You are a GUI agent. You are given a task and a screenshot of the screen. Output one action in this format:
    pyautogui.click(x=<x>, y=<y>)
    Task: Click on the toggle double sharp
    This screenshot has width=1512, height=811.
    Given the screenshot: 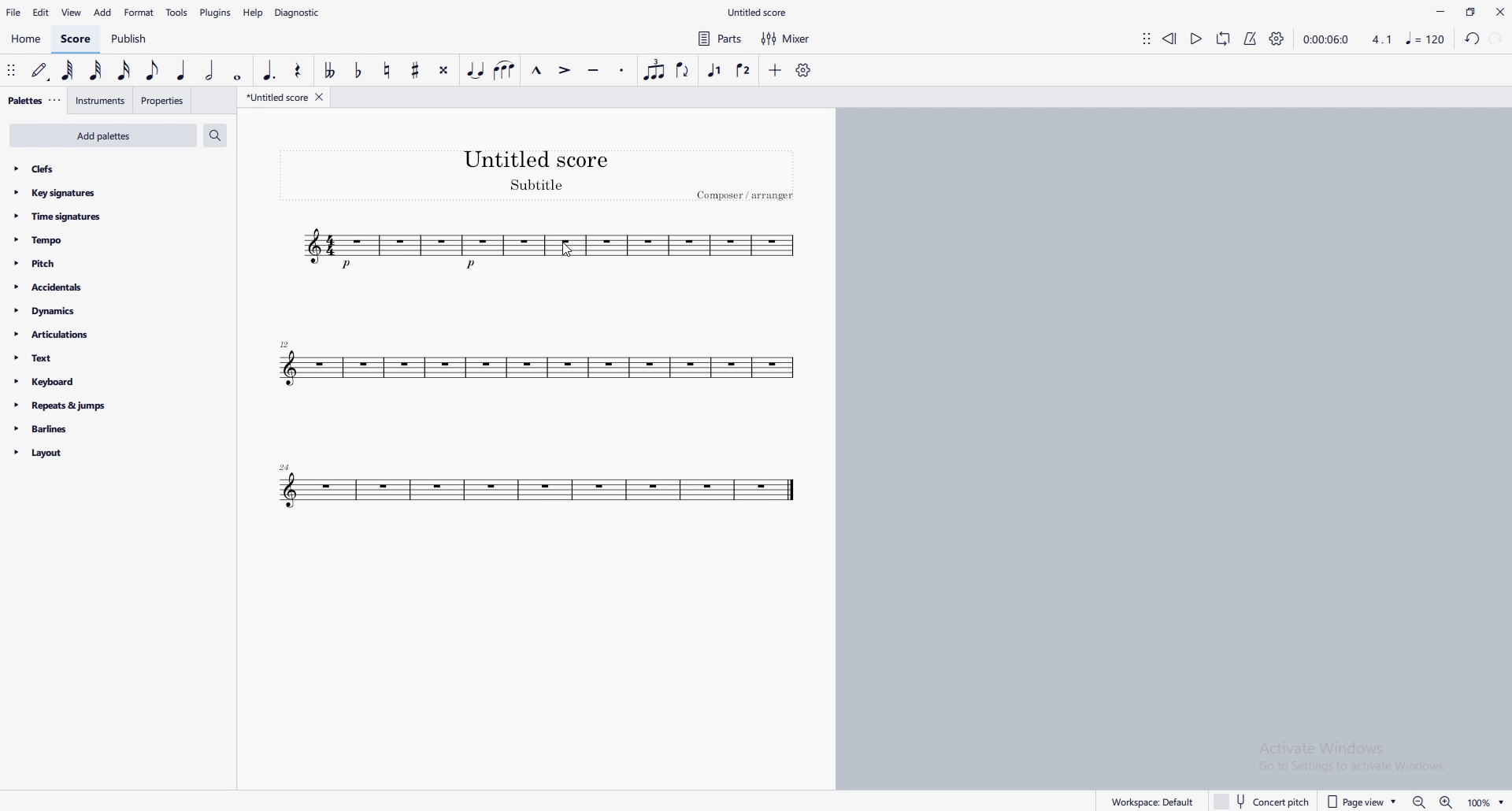 What is the action you would take?
    pyautogui.click(x=443, y=70)
    